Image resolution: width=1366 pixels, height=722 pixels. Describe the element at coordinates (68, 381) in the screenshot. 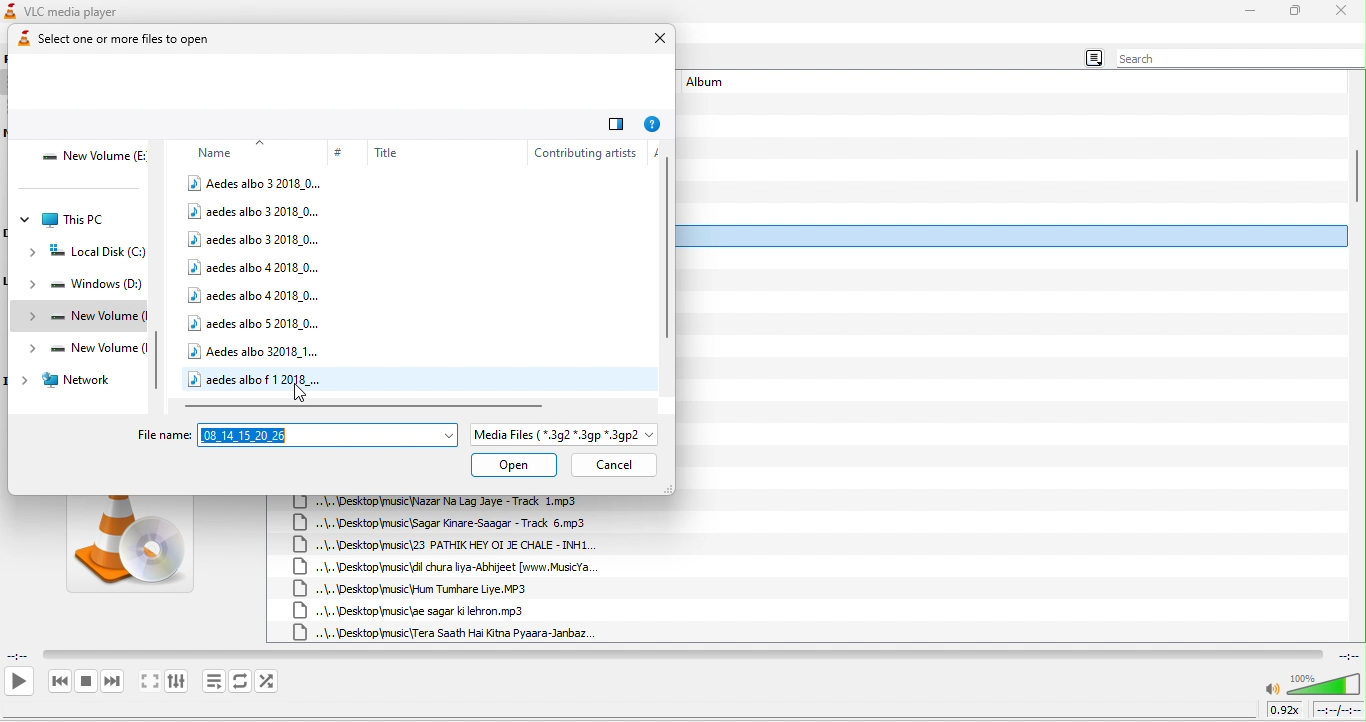

I see `network` at that location.